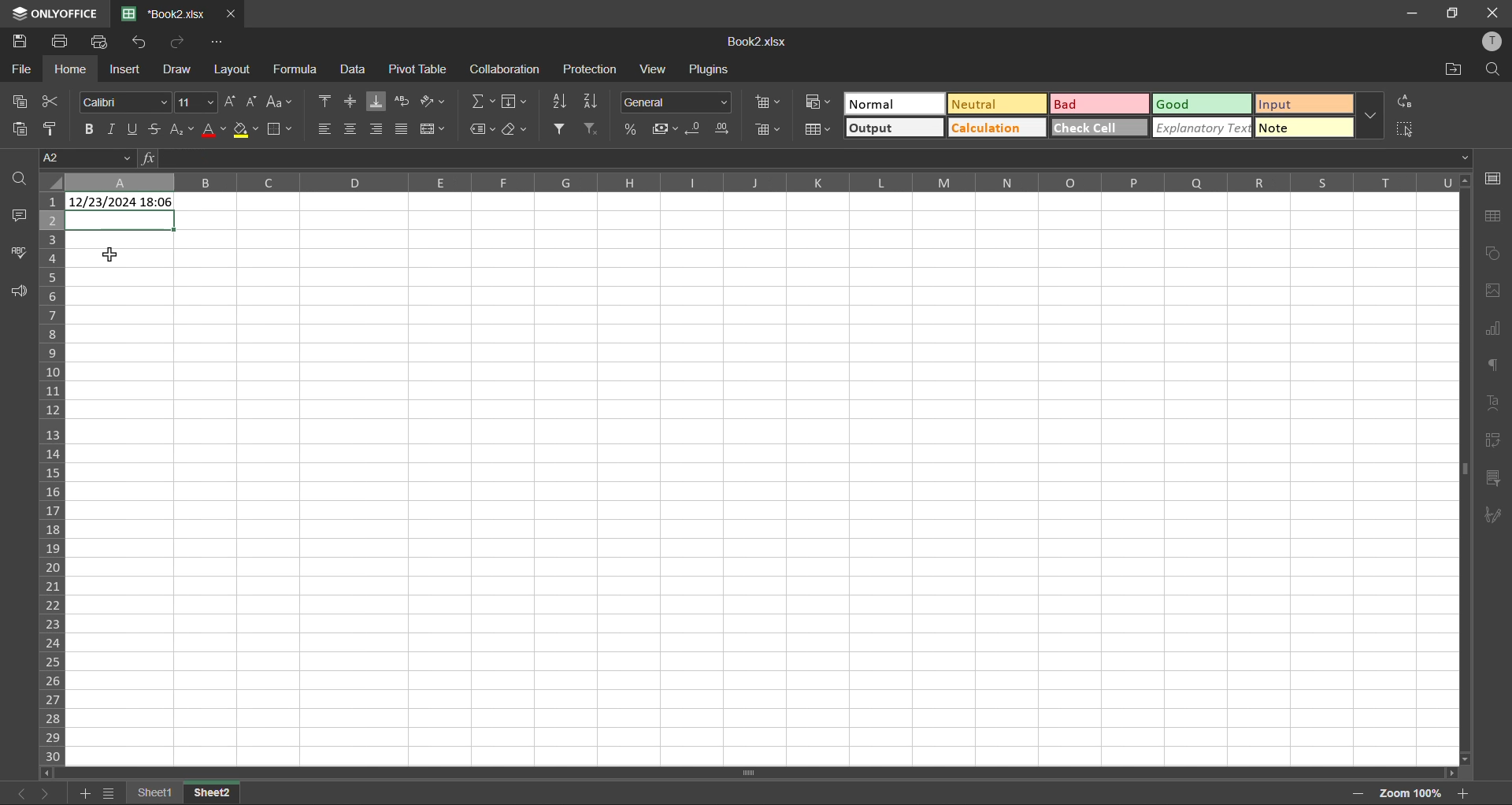  Describe the element at coordinates (677, 103) in the screenshot. I see `number format` at that location.